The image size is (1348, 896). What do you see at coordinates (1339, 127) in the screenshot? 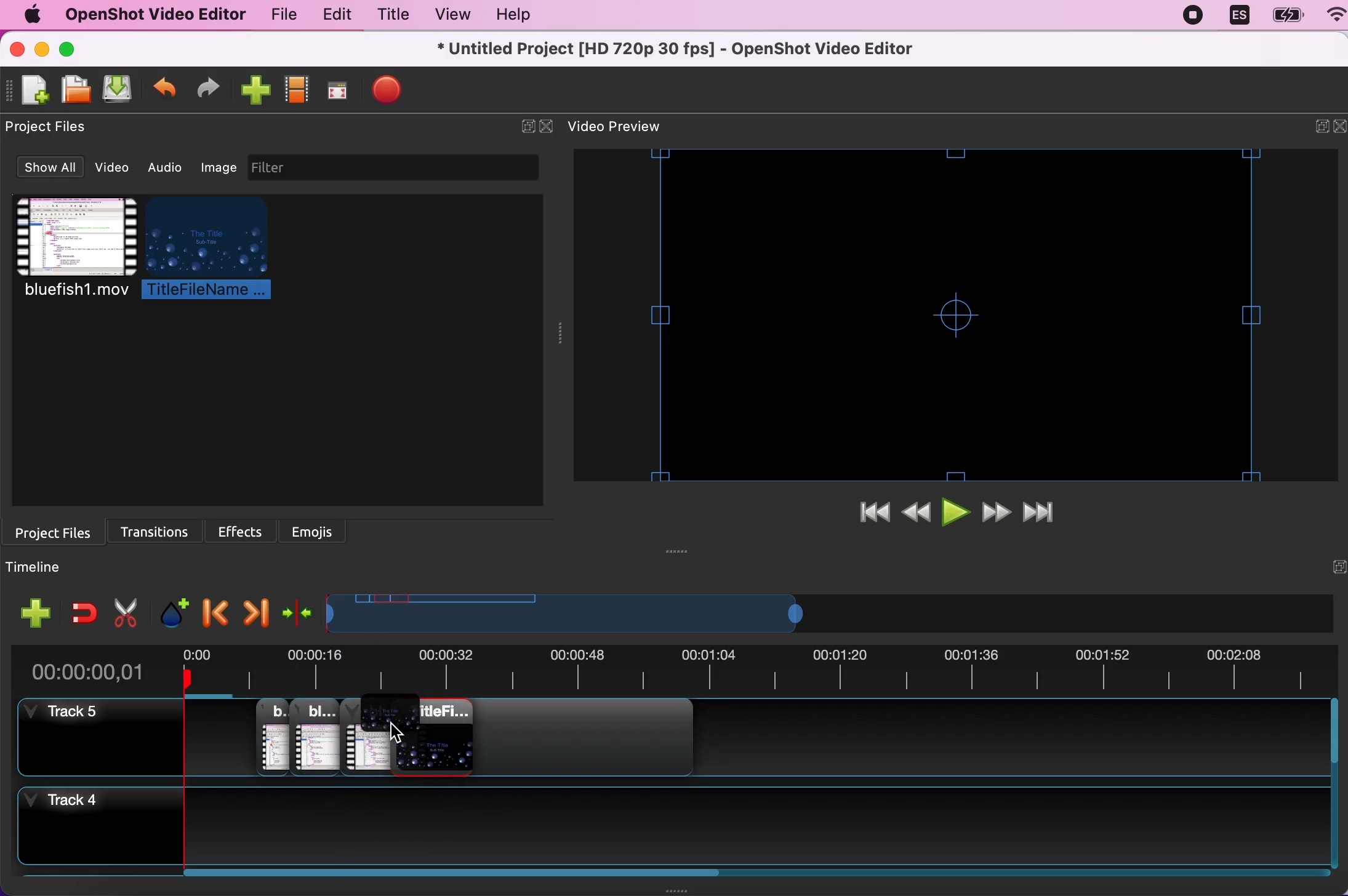
I see `close` at bounding box center [1339, 127].